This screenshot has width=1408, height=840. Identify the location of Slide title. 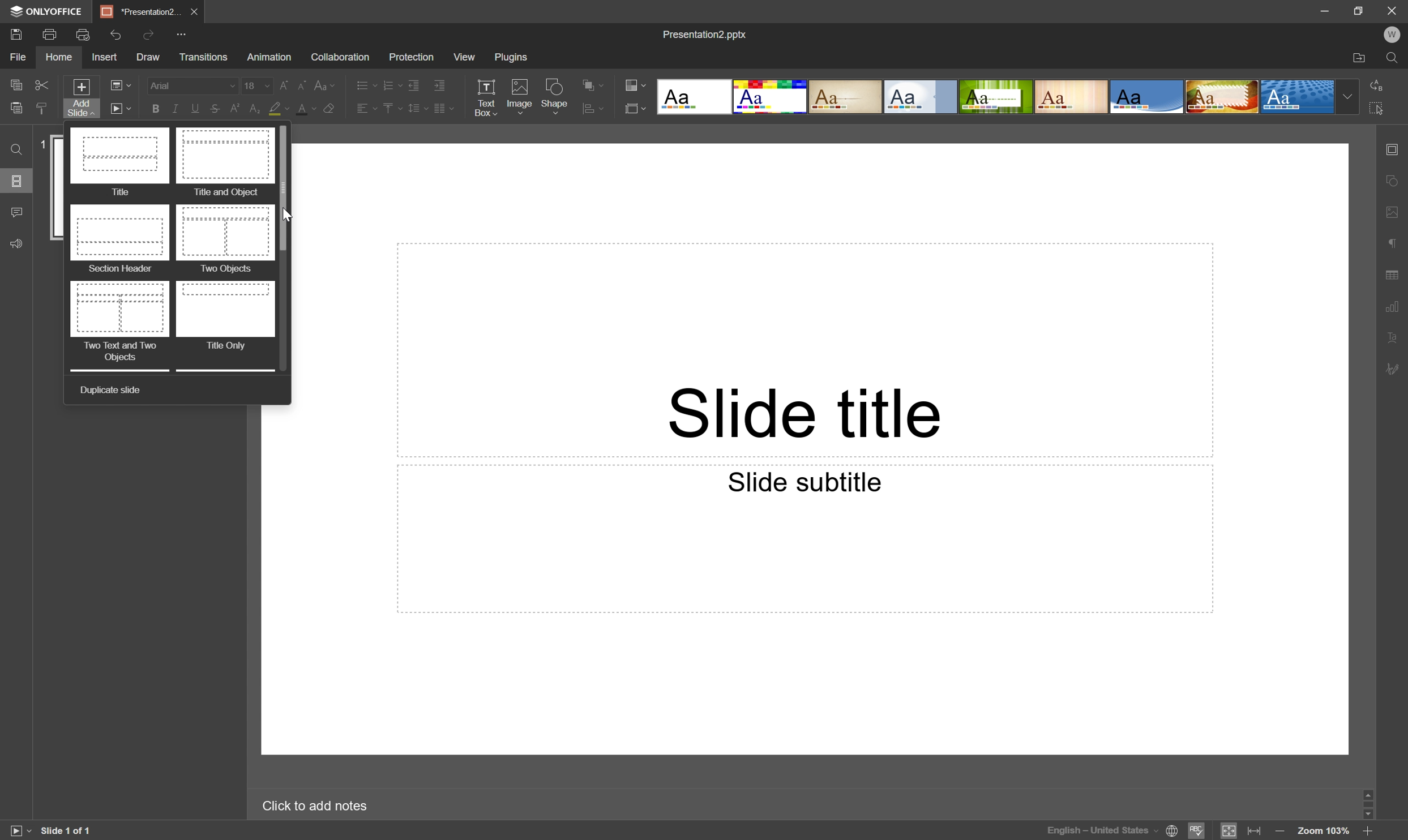
(808, 411).